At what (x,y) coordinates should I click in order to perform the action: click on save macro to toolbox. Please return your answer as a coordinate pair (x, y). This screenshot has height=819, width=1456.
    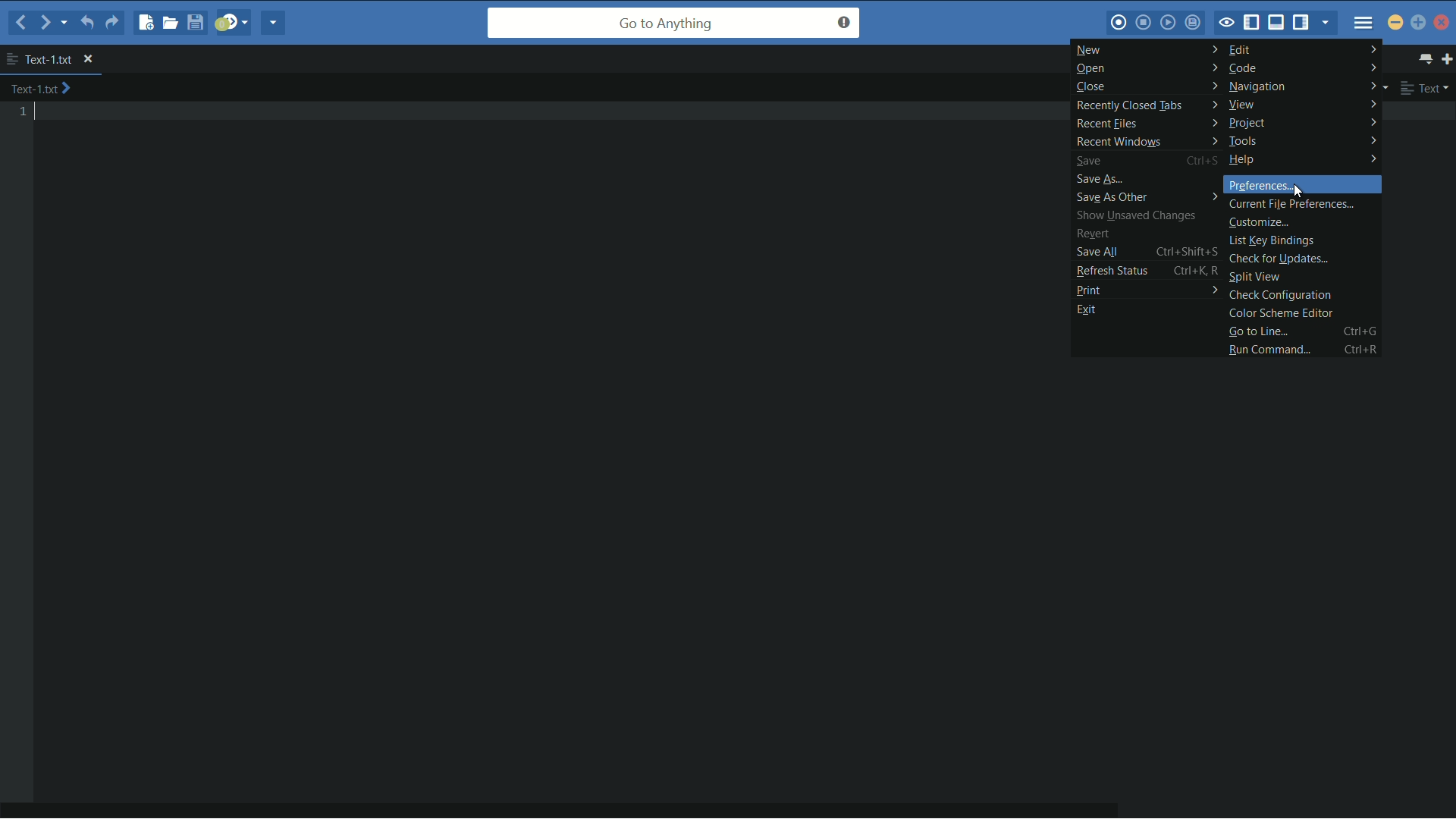
    Looking at the image, I should click on (1191, 22).